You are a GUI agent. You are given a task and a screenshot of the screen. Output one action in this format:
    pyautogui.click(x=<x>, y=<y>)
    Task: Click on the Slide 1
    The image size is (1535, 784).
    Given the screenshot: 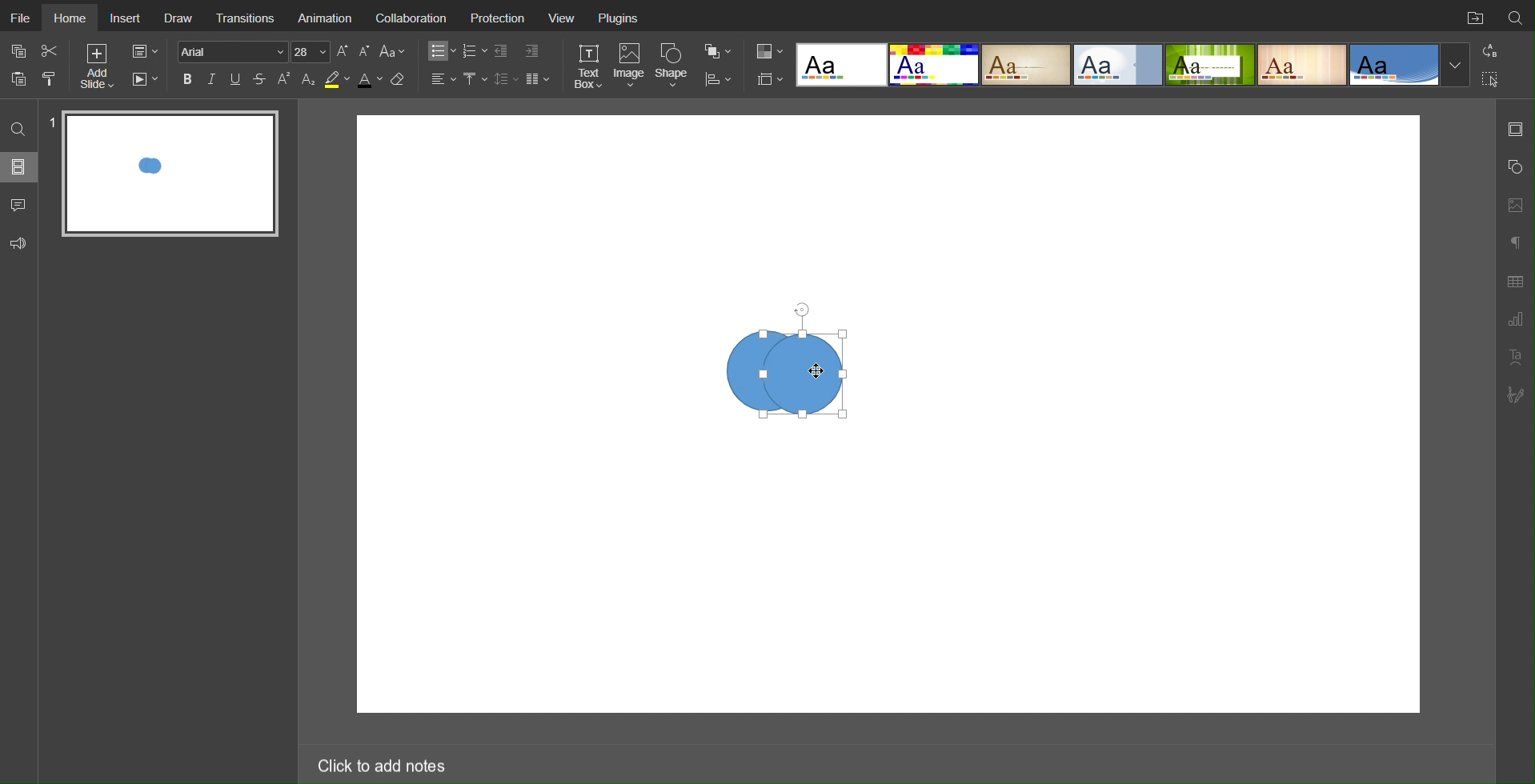 What is the action you would take?
    pyautogui.click(x=170, y=174)
    